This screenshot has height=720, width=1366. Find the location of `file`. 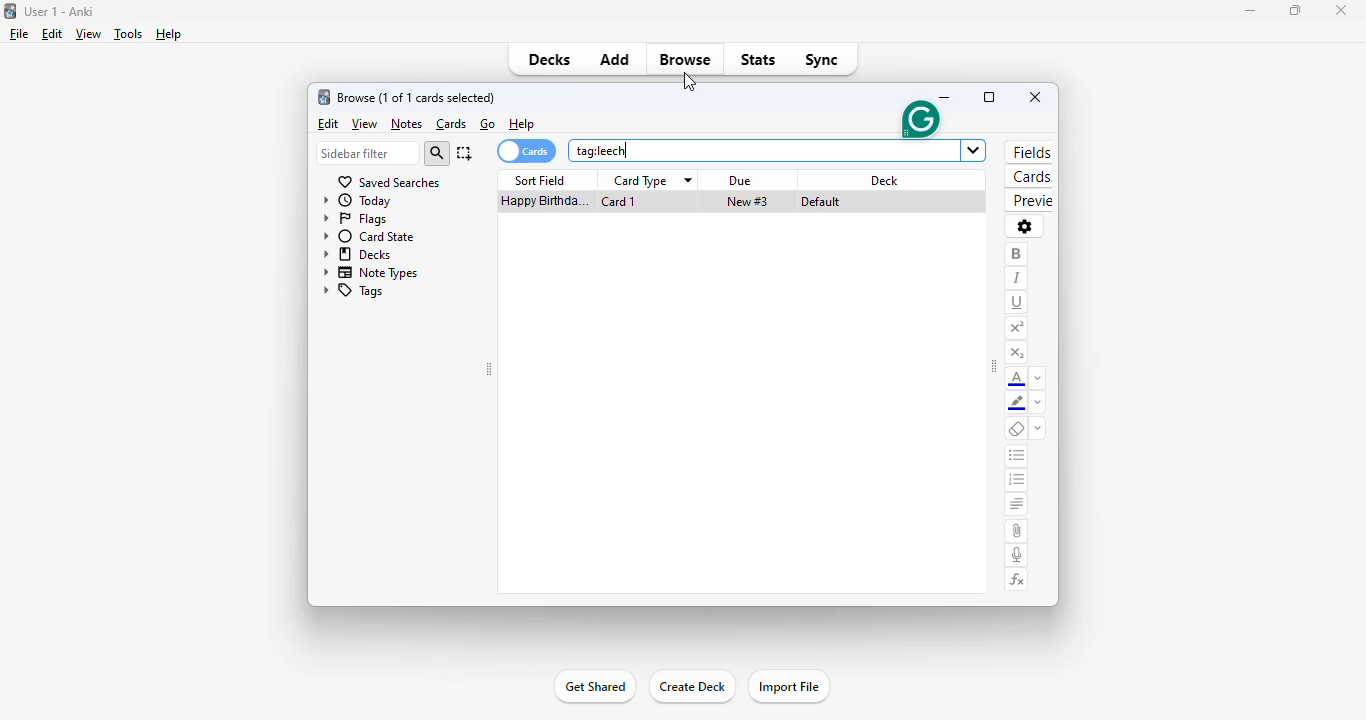

file is located at coordinates (19, 34).